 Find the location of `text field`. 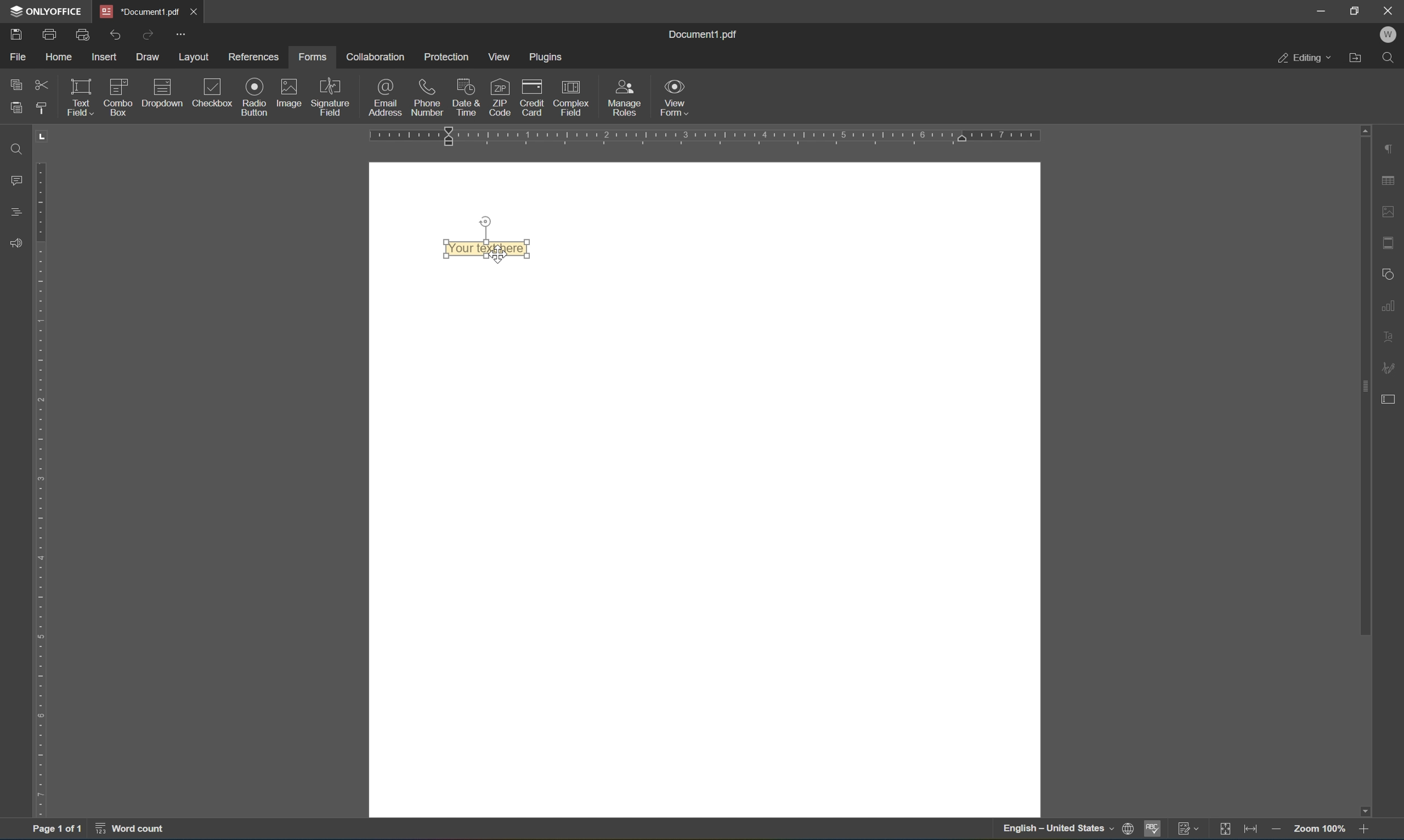

text field is located at coordinates (79, 96).